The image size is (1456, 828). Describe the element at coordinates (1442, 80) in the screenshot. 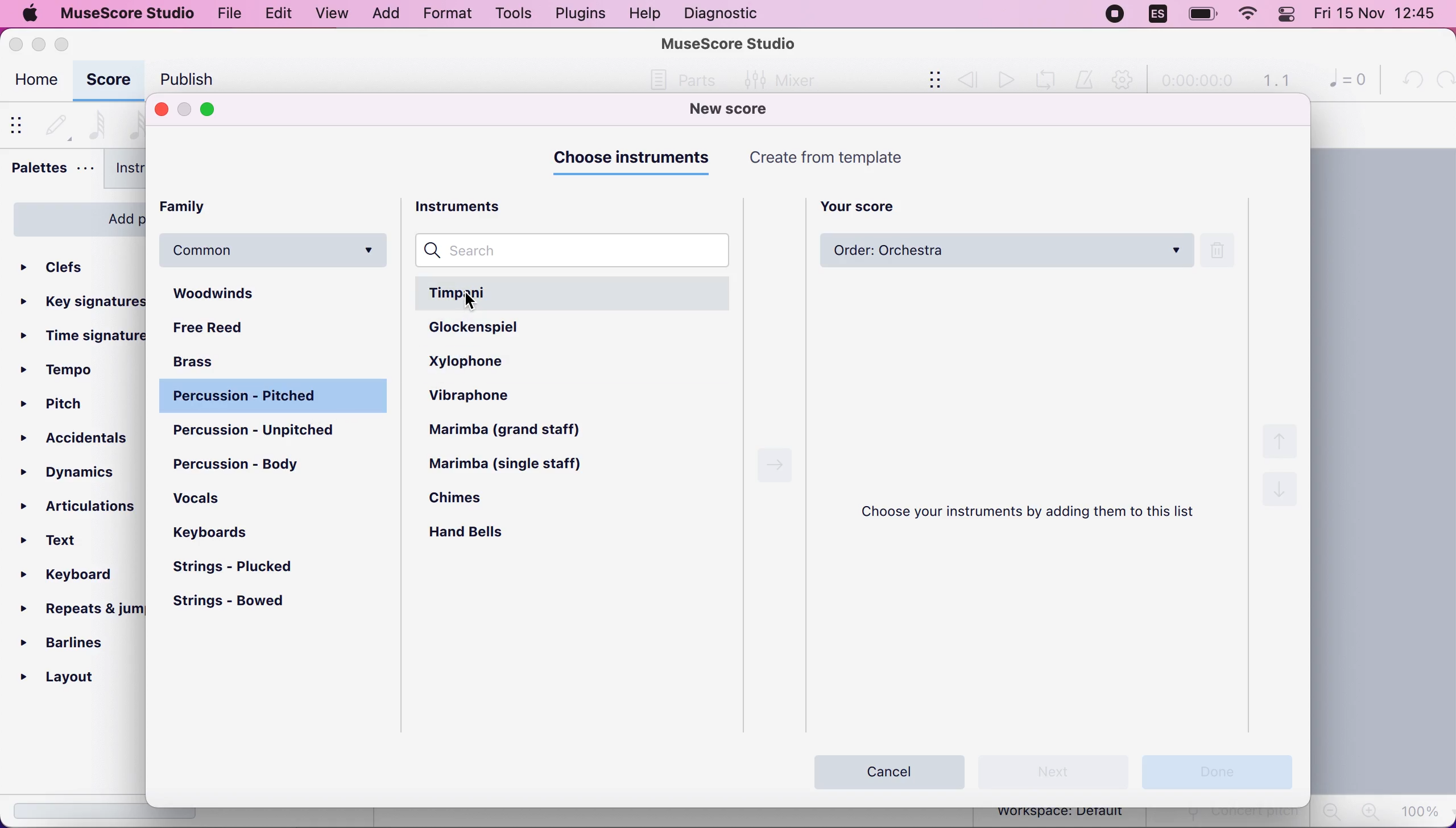

I see `redo` at that location.